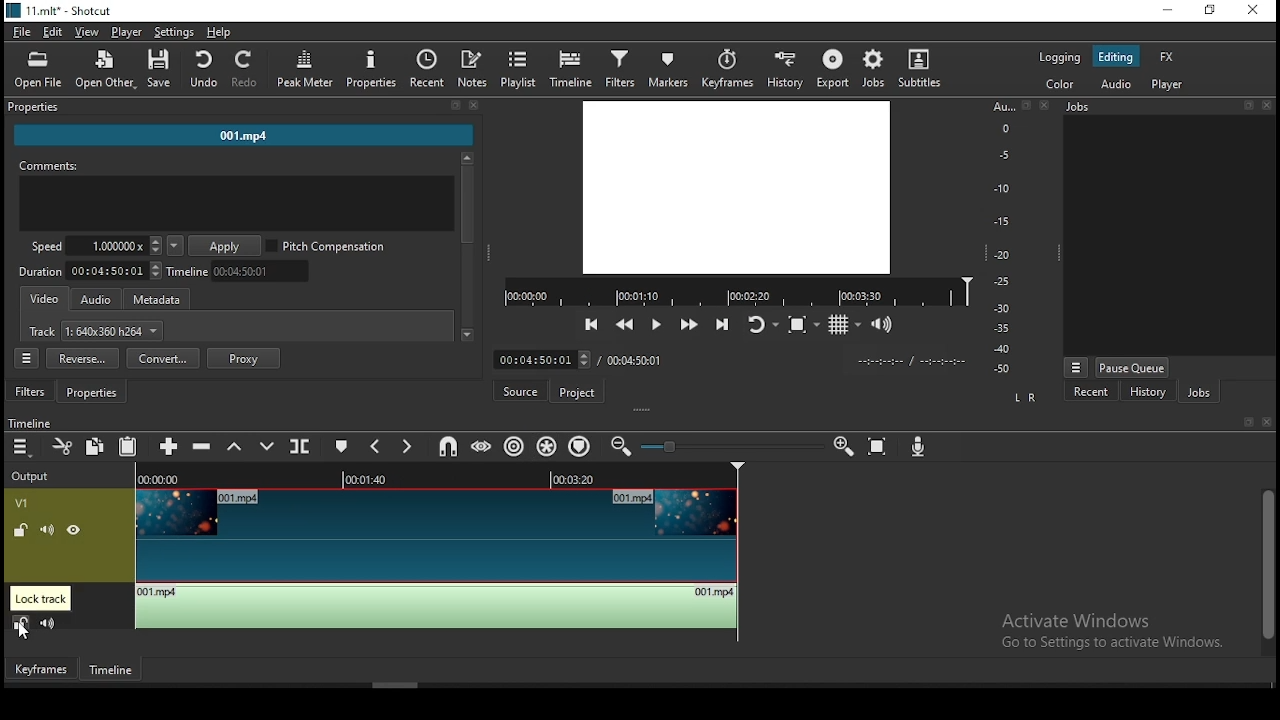  I want to click on lock track, so click(42, 598).